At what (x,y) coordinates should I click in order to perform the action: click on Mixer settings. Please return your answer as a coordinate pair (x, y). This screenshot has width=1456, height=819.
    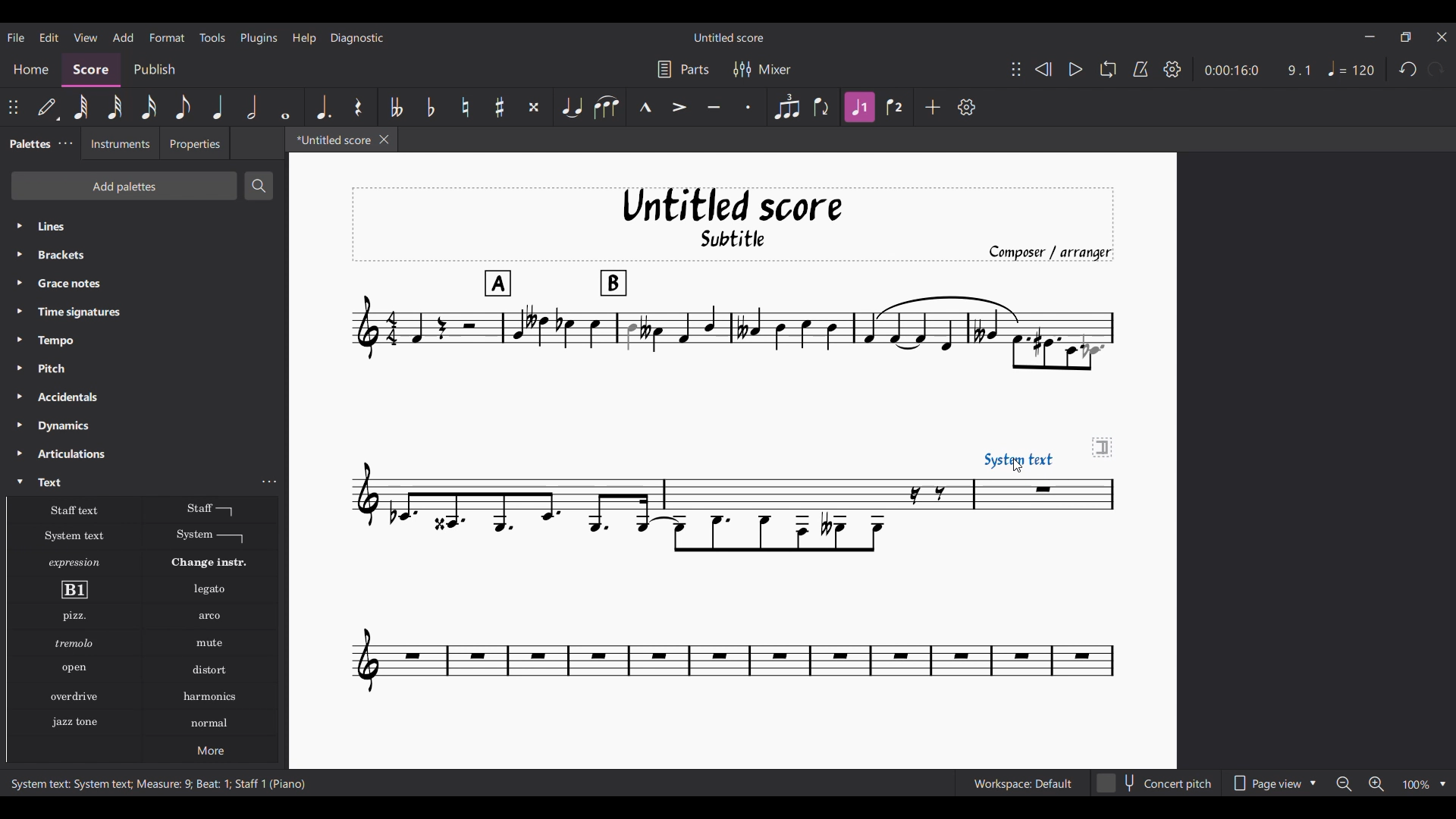
    Looking at the image, I should click on (762, 70).